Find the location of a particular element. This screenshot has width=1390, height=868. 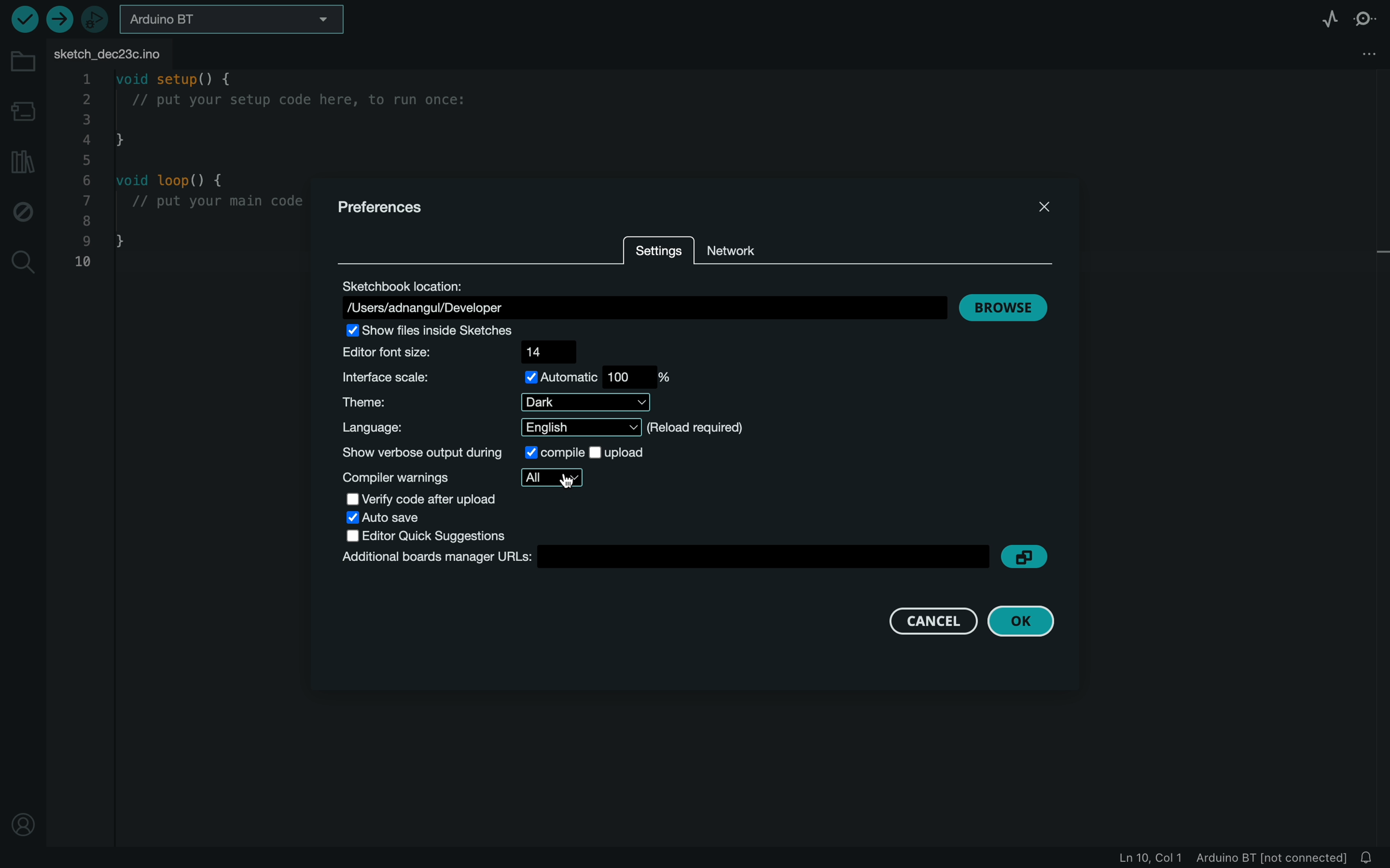

Additional board managers  is located at coordinates (694, 558).